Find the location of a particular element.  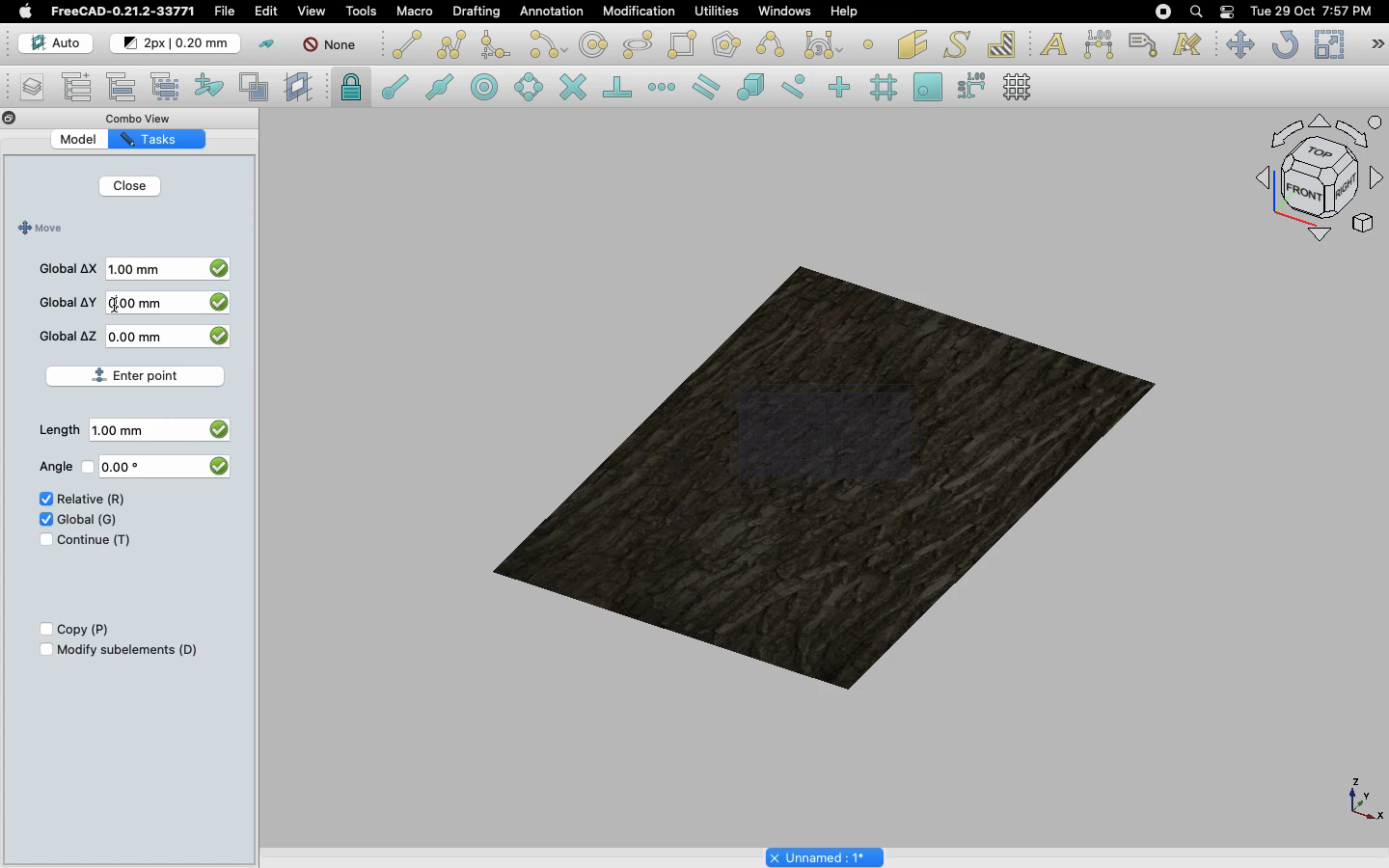

Line is located at coordinates (407, 44).